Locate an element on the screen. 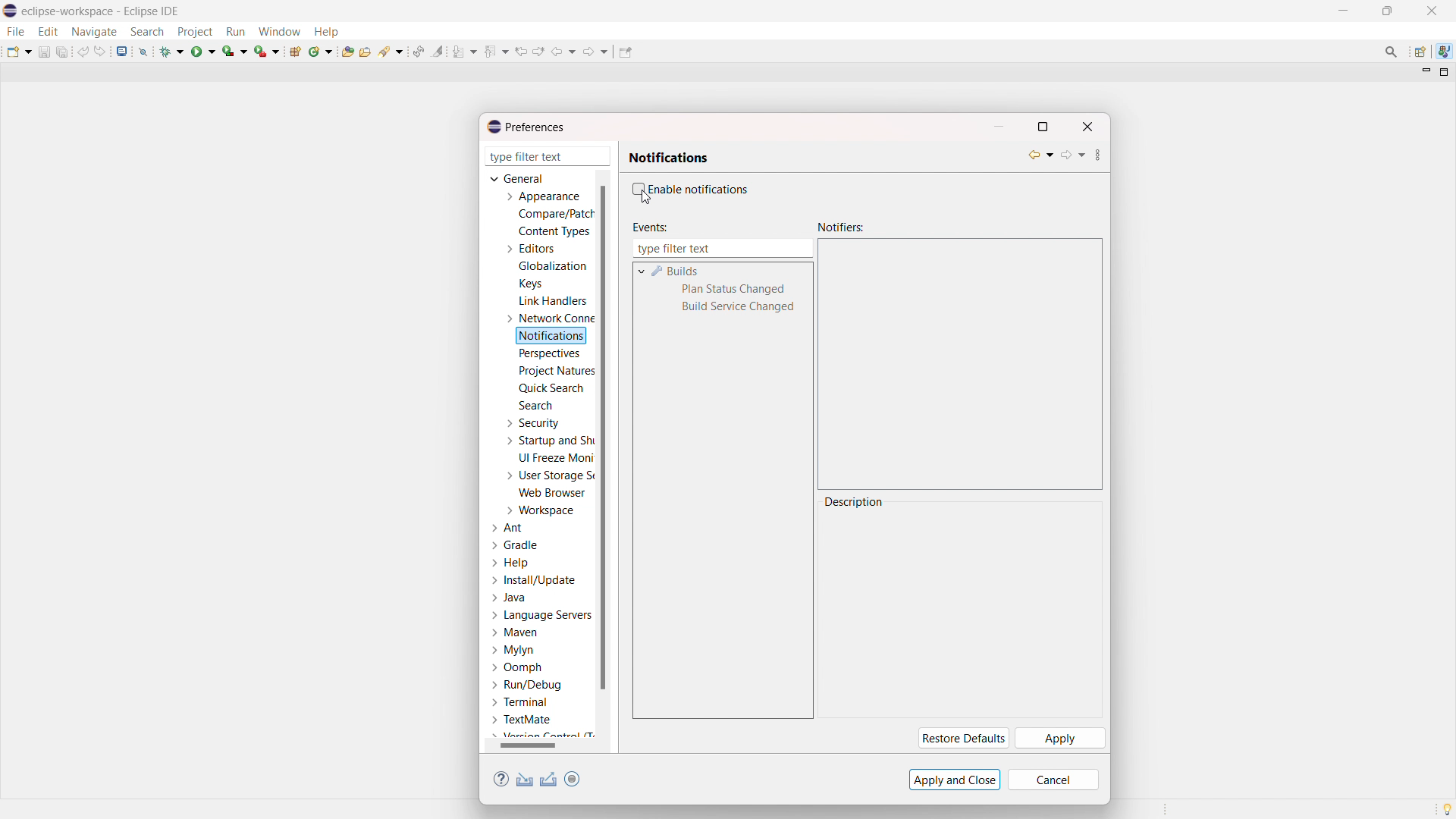  restore defaults is located at coordinates (962, 739).